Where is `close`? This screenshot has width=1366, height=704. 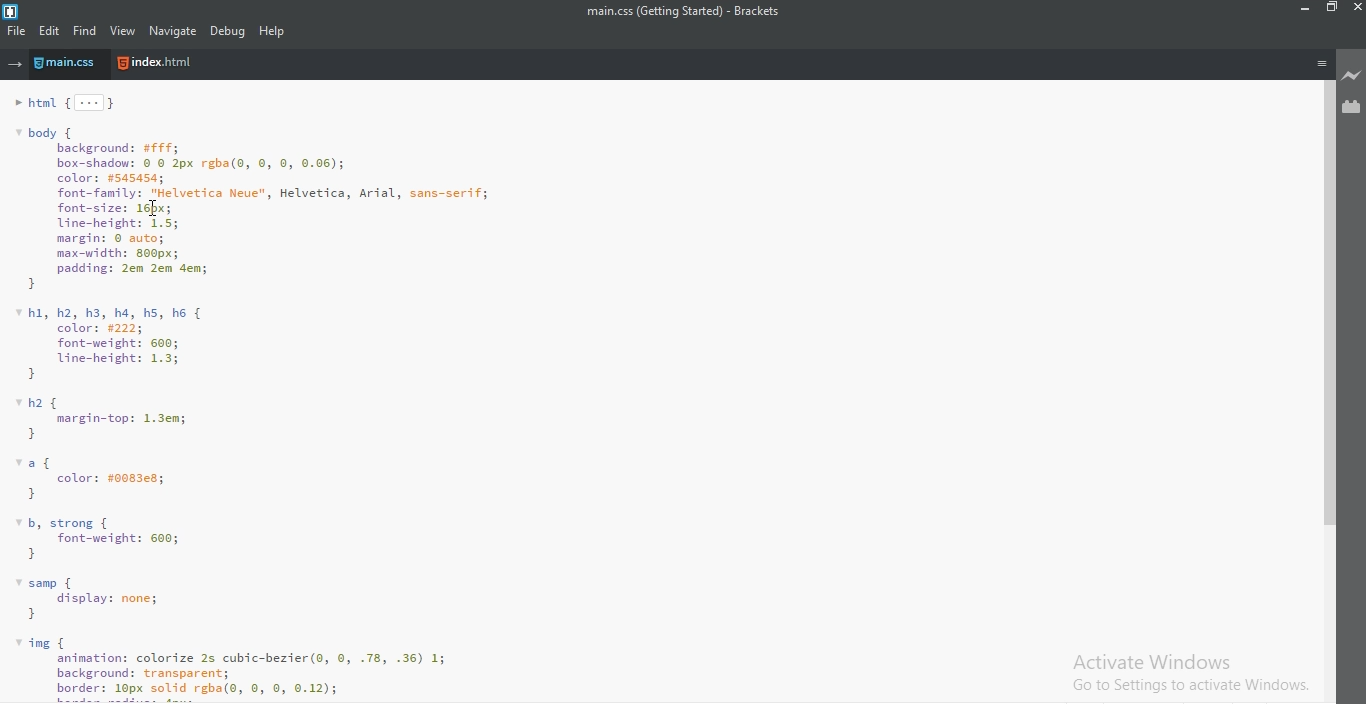
close is located at coordinates (1356, 10).